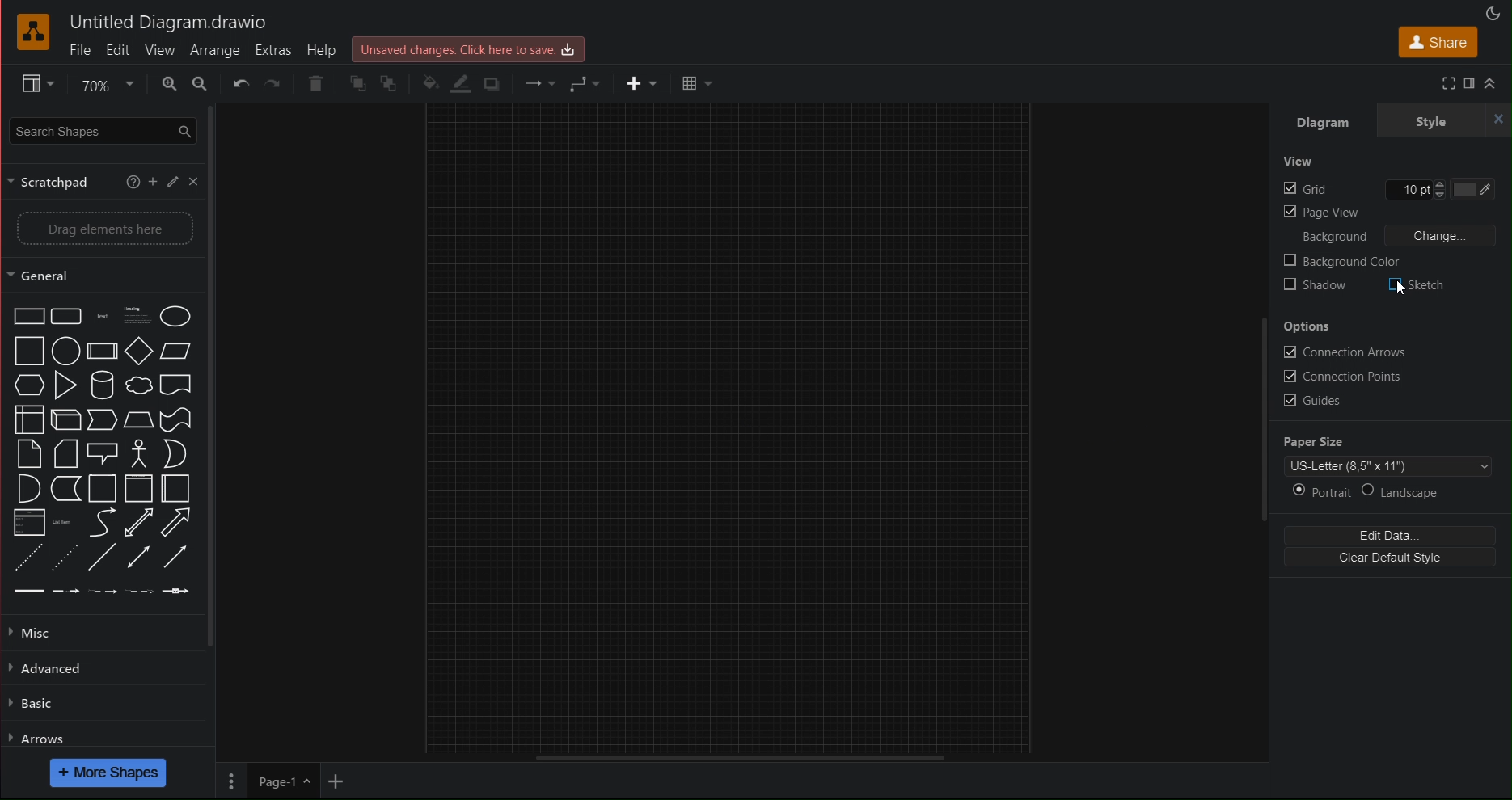 The height and width of the screenshot is (800, 1512). What do you see at coordinates (391, 83) in the screenshot?
I see `Send Back` at bounding box center [391, 83].